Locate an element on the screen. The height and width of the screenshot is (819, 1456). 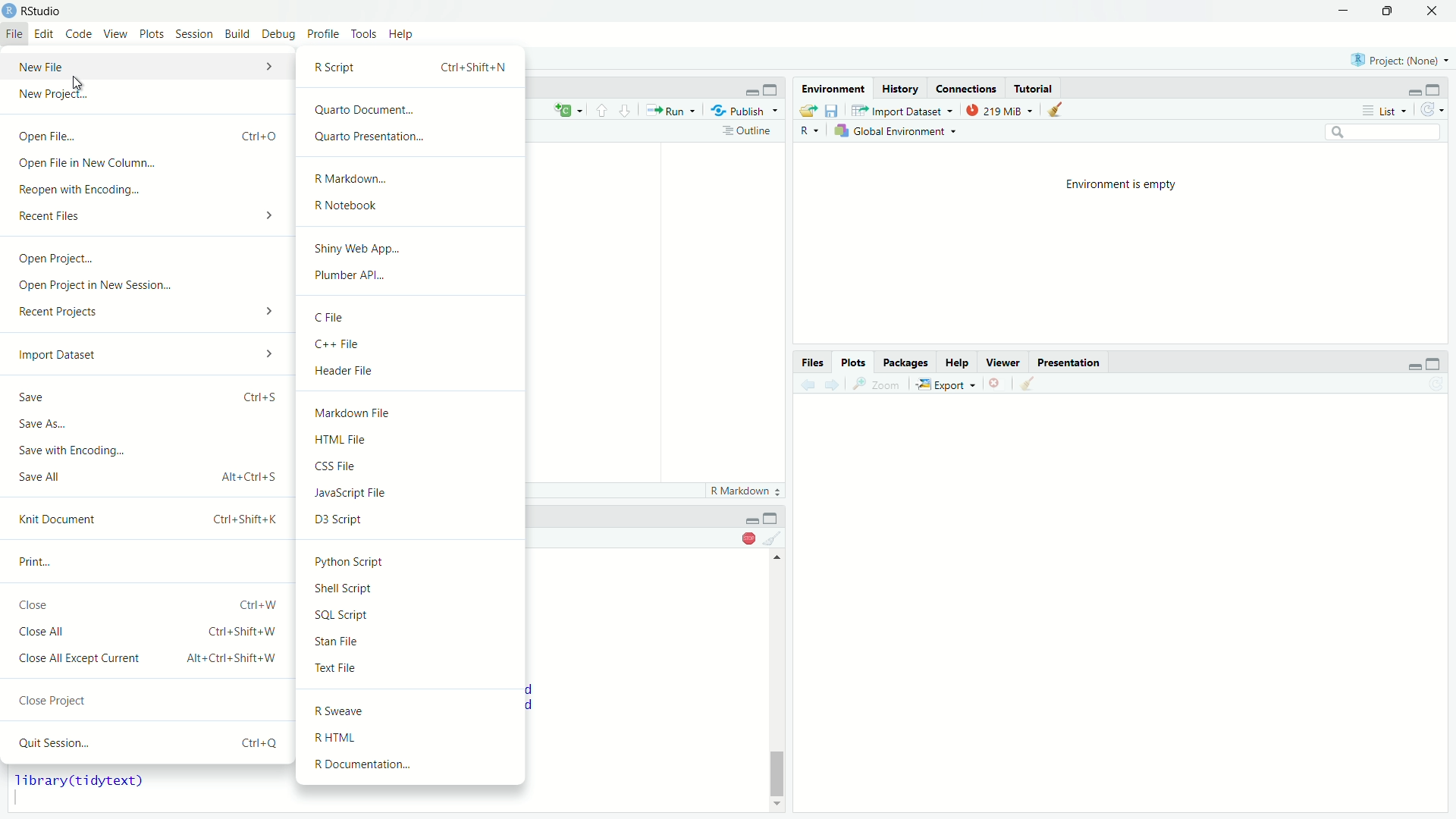
minimize is located at coordinates (773, 517).